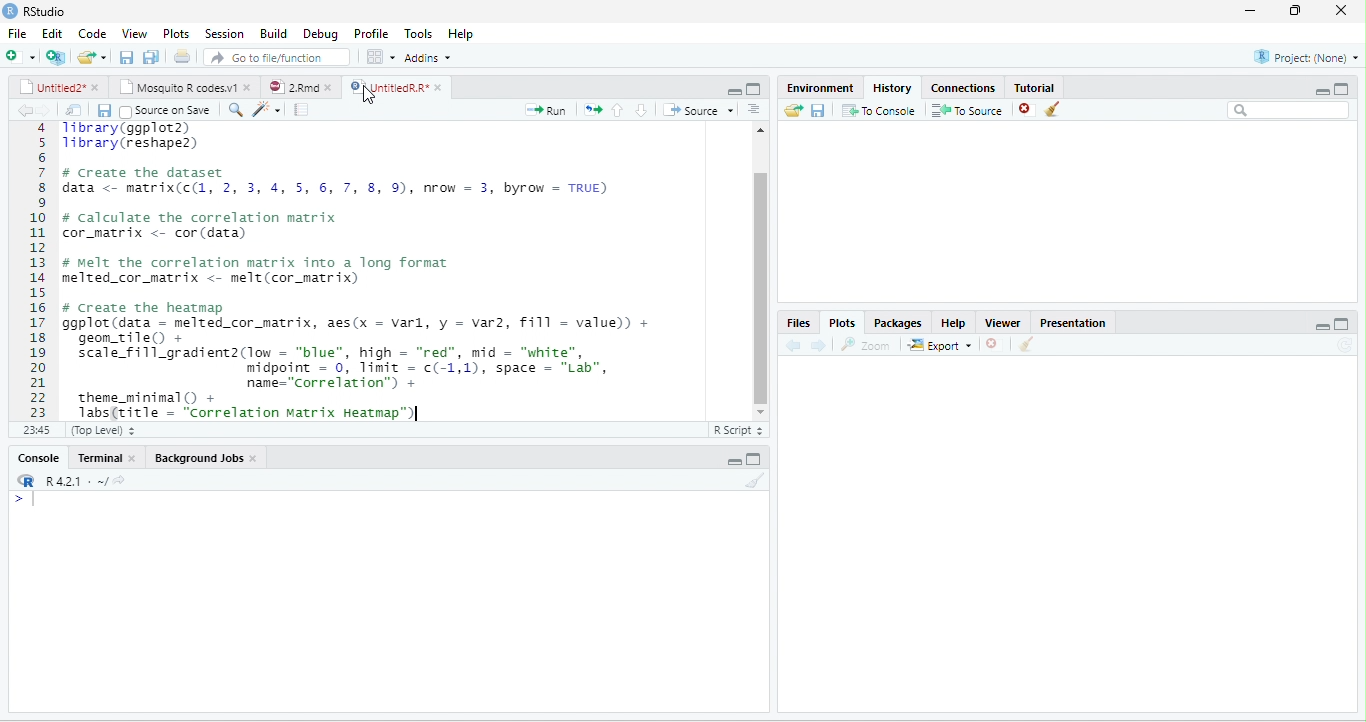 The width and height of the screenshot is (1366, 722). What do you see at coordinates (22, 111) in the screenshot?
I see `arrow` at bounding box center [22, 111].